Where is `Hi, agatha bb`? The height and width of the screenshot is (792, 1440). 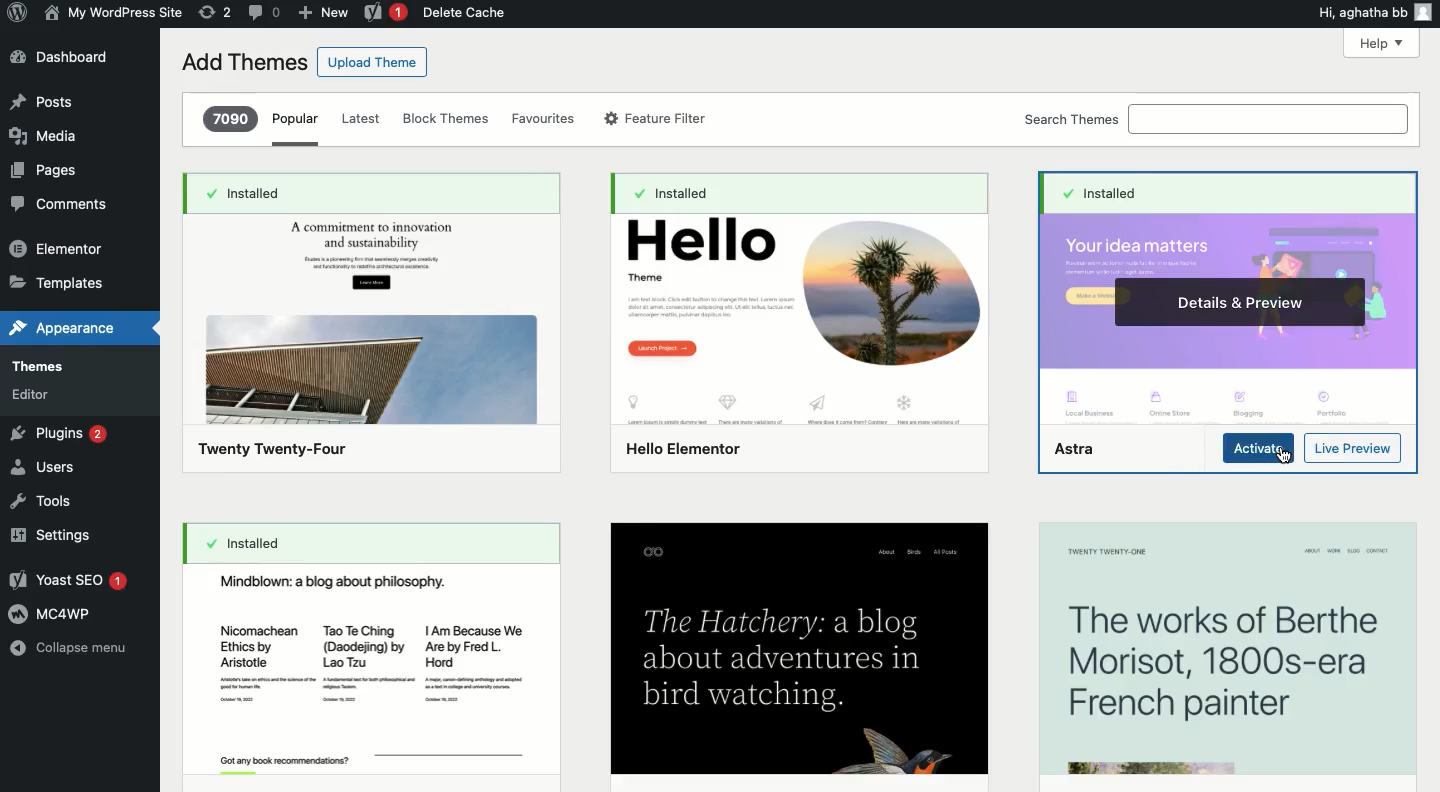 Hi, agatha bb is located at coordinates (1358, 13).